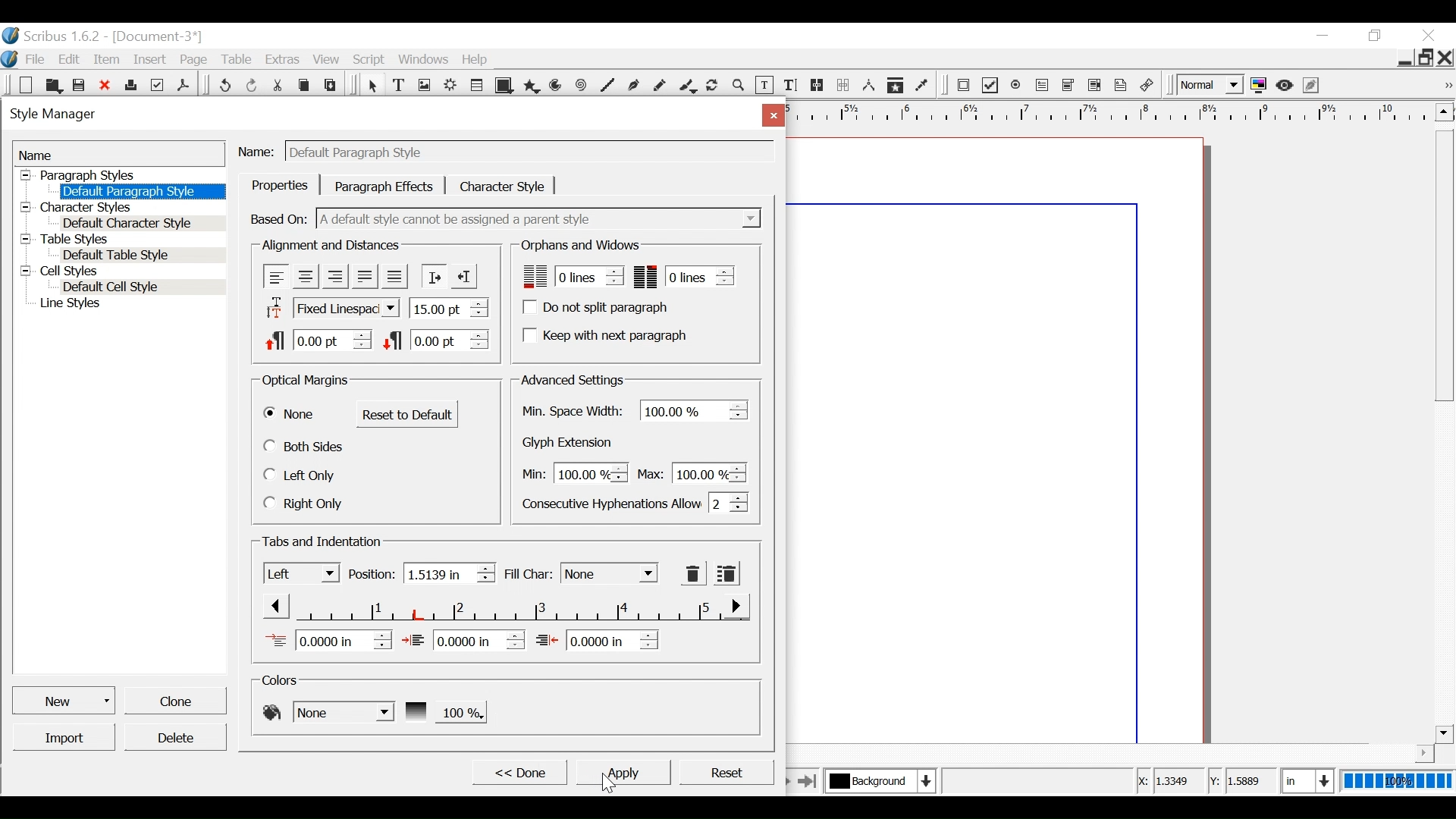 This screenshot has height=819, width=1456. What do you see at coordinates (121, 272) in the screenshot?
I see `Cell Styles` at bounding box center [121, 272].